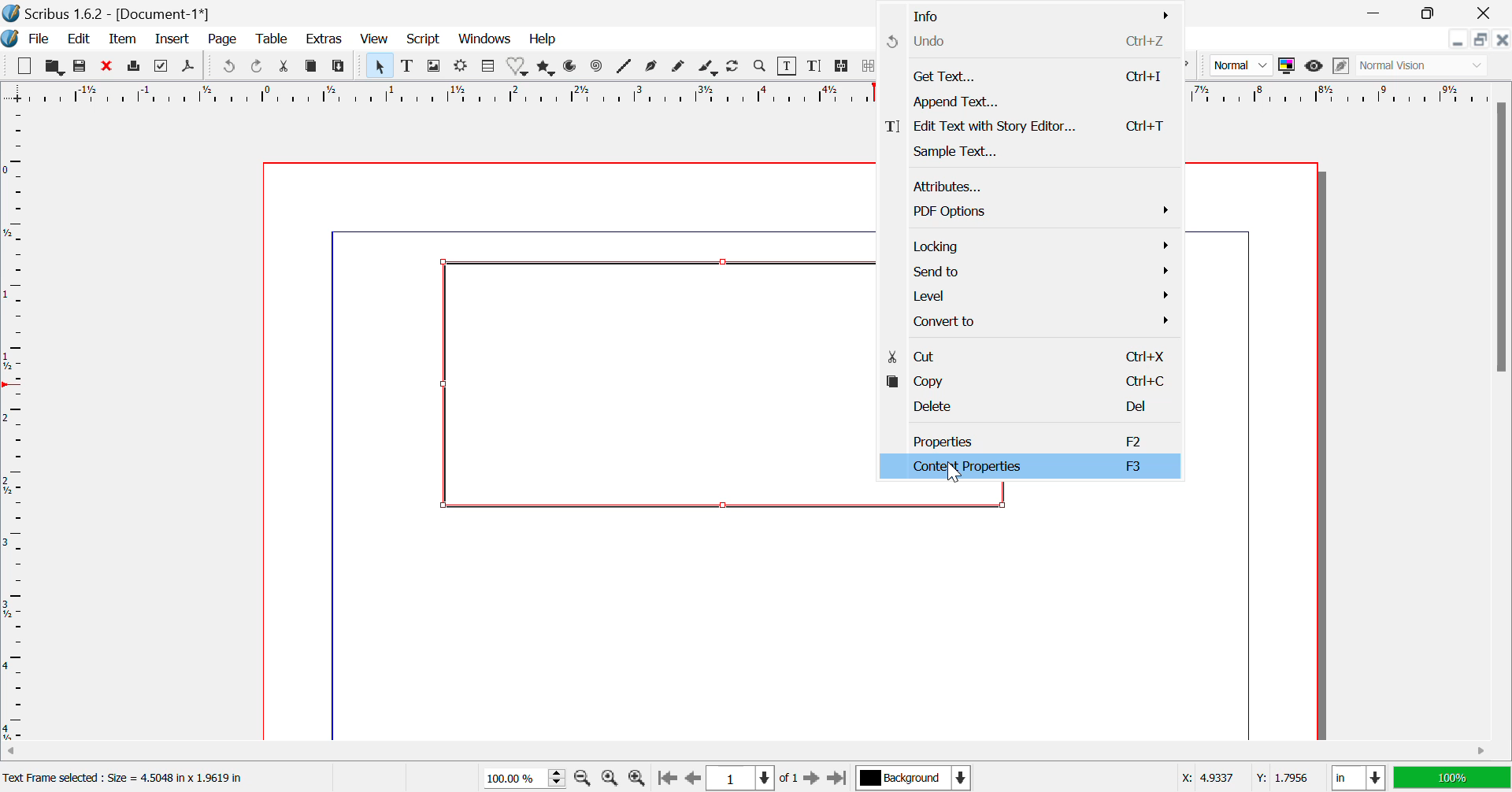  Describe the element at coordinates (435, 66) in the screenshot. I see `Image Frame` at that location.